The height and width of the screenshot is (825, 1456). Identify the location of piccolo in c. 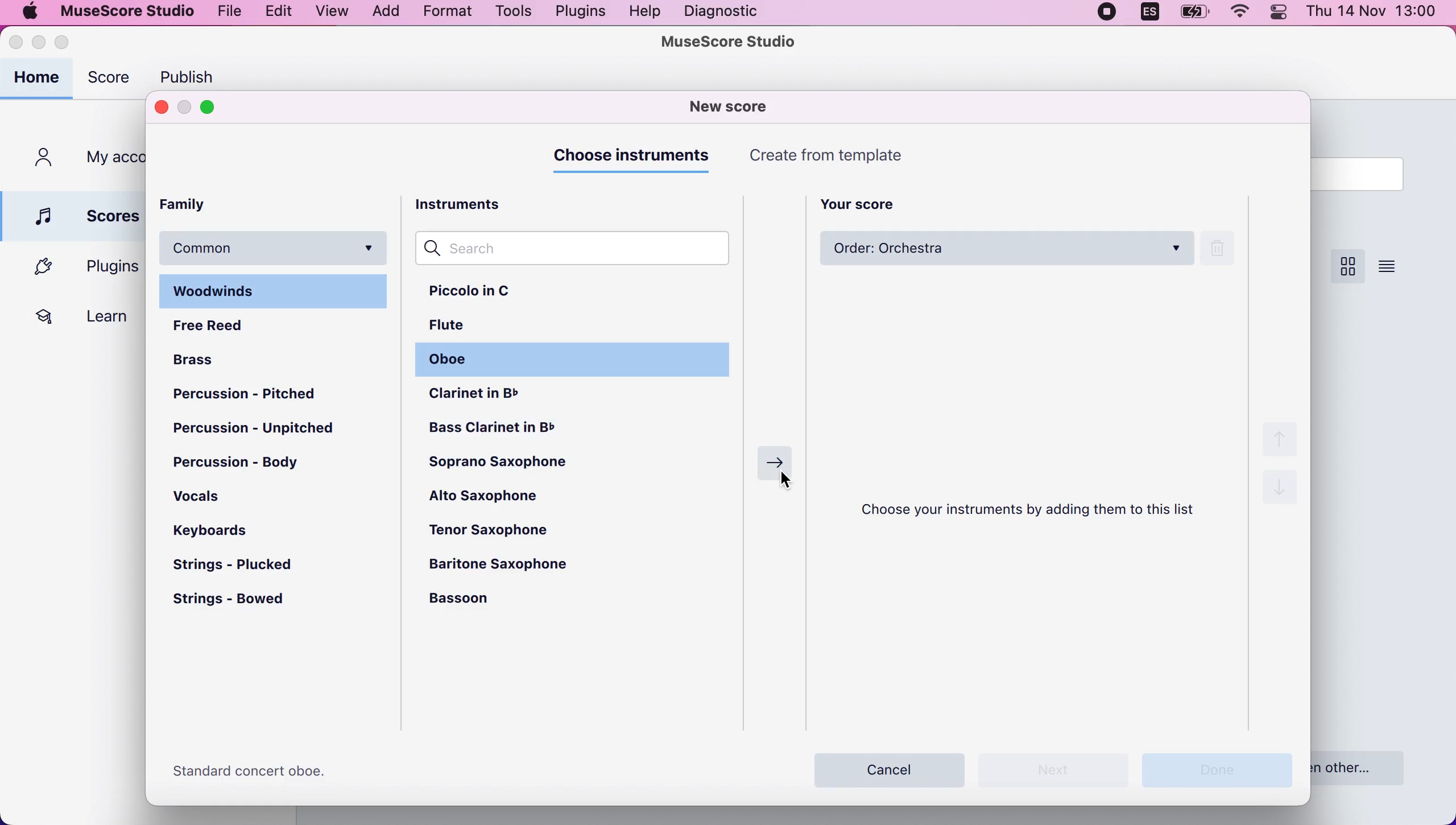
(495, 294).